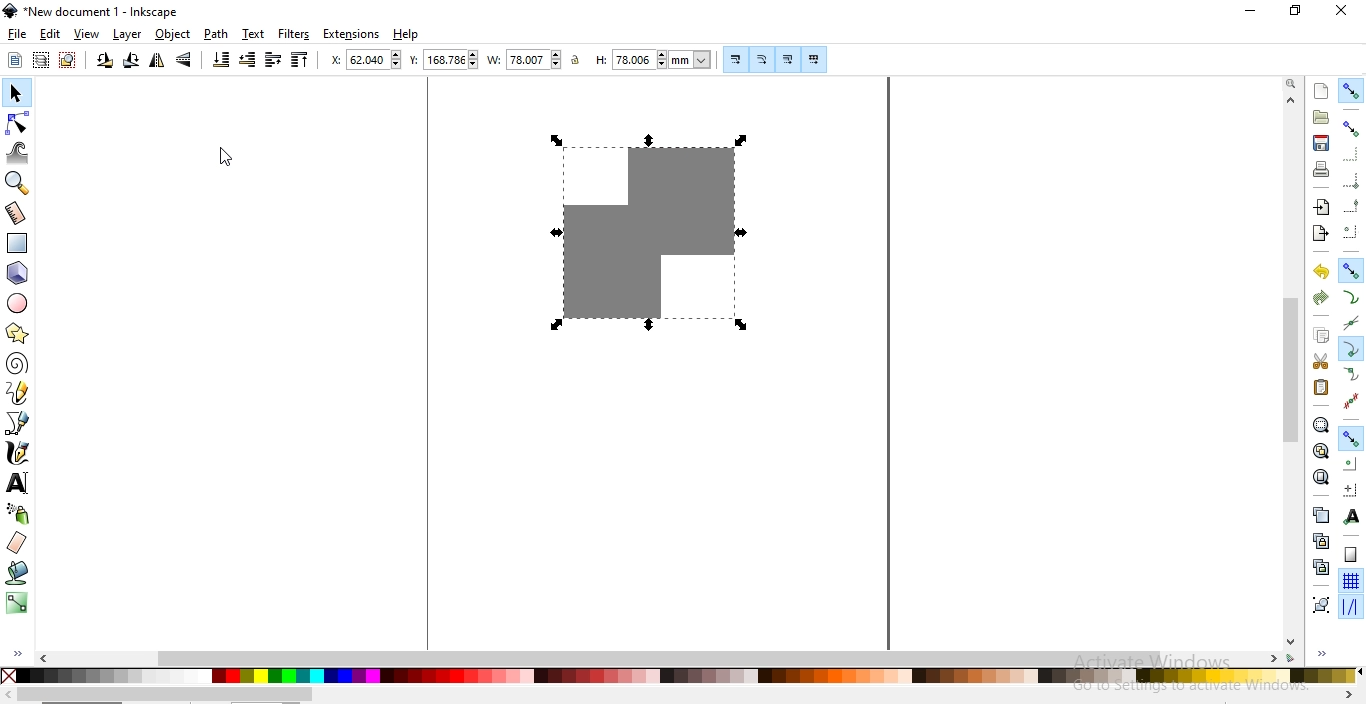 Image resolution: width=1366 pixels, height=704 pixels. What do you see at coordinates (656, 59) in the screenshot?
I see `height of selection` at bounding box center [656, 59].